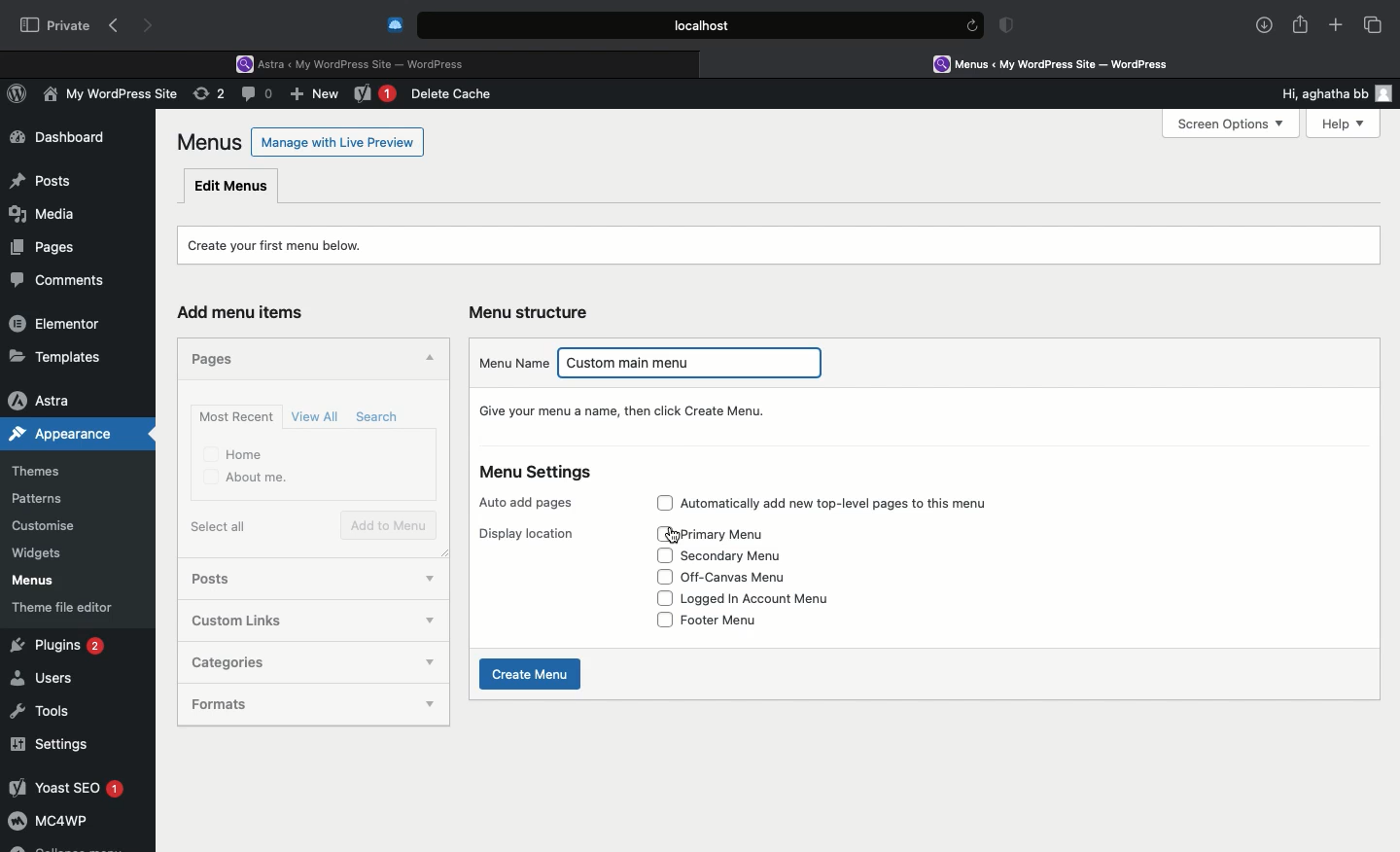 This screenshot has height=852, width=1400. What do you see at coordinates (533, 312) in the screenshot?
I see `Menu structure` at bounding box center [533, 312].